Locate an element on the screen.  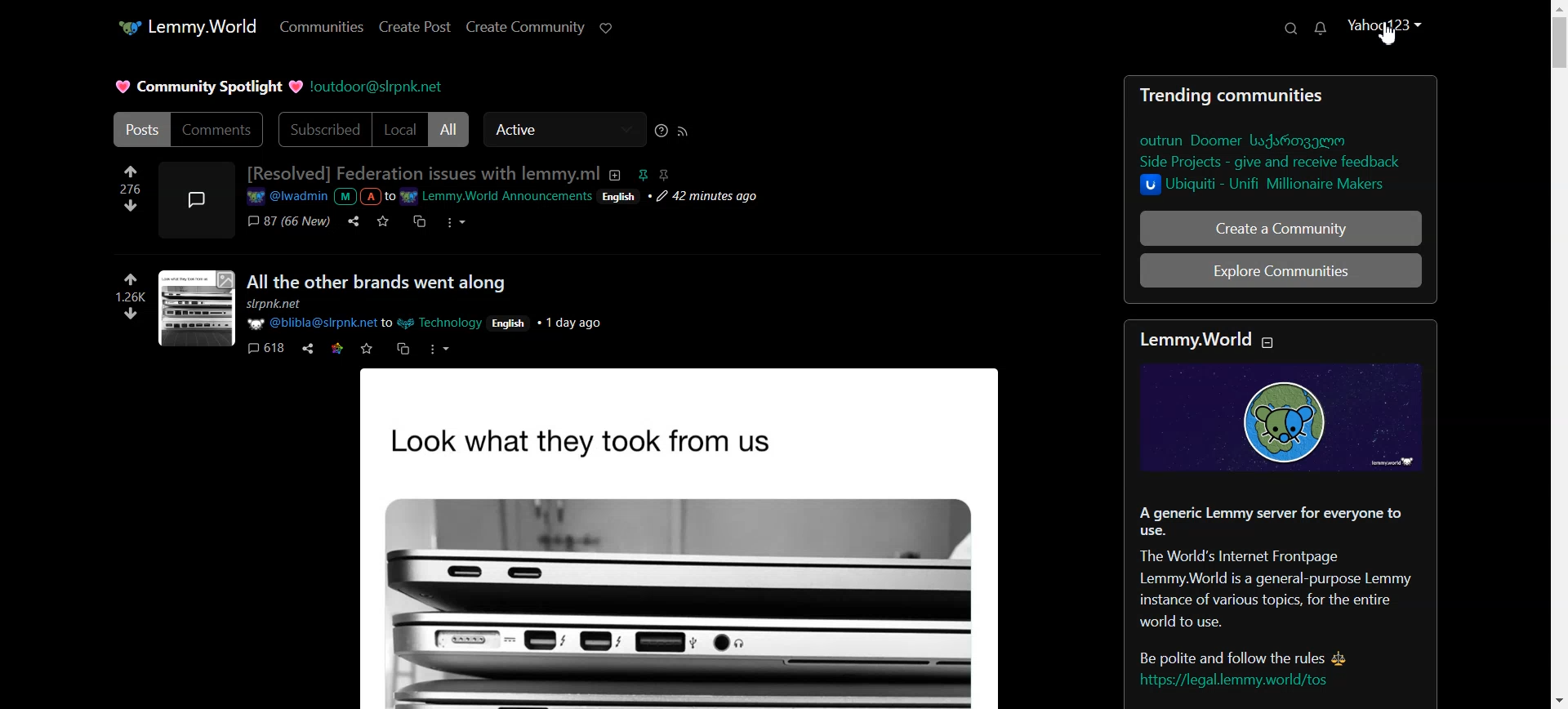
More is located at coordinates (456, 221).